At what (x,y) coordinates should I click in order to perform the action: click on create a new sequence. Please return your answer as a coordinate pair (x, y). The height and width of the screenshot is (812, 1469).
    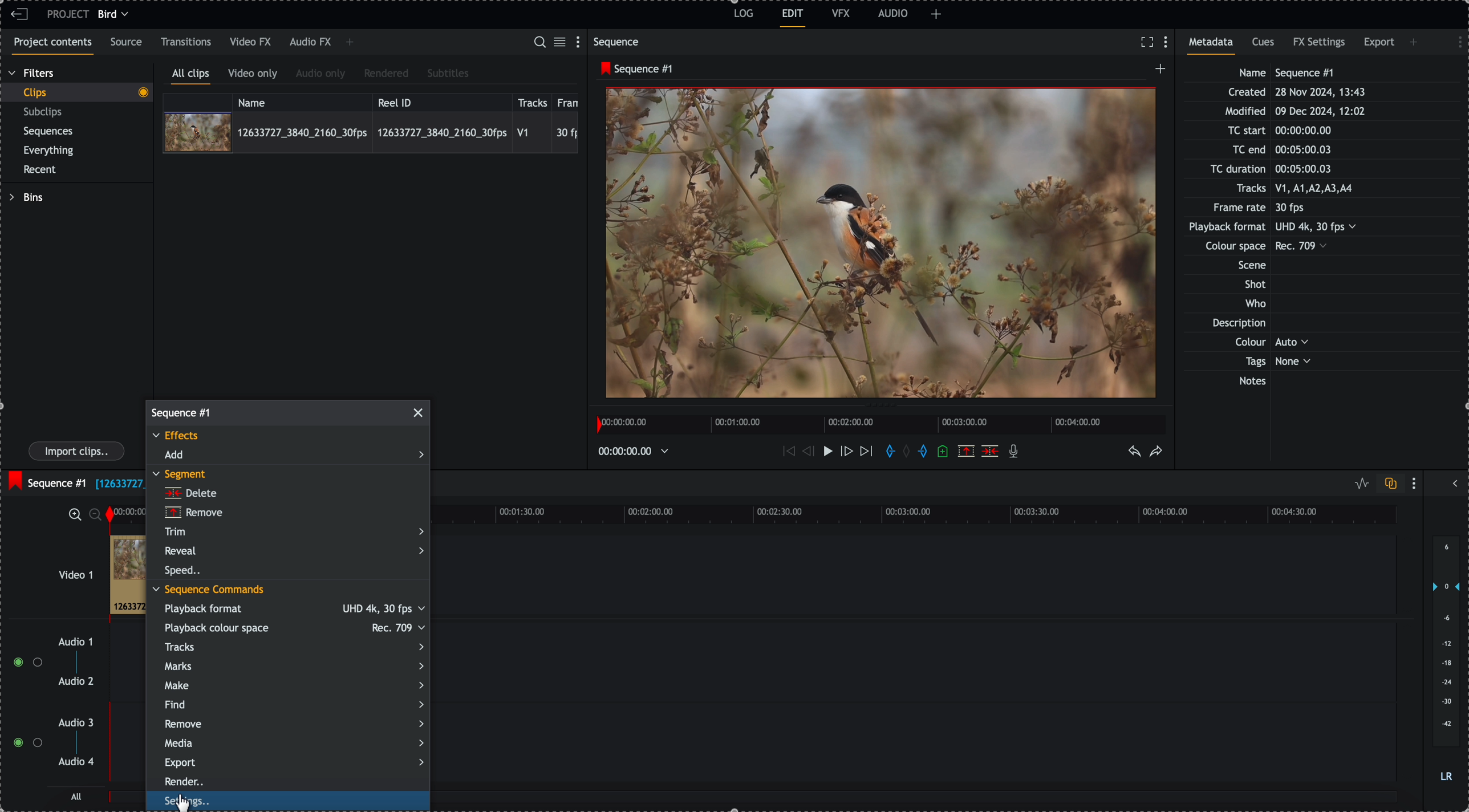
    Looking at the image, I should click on (1158, 72).